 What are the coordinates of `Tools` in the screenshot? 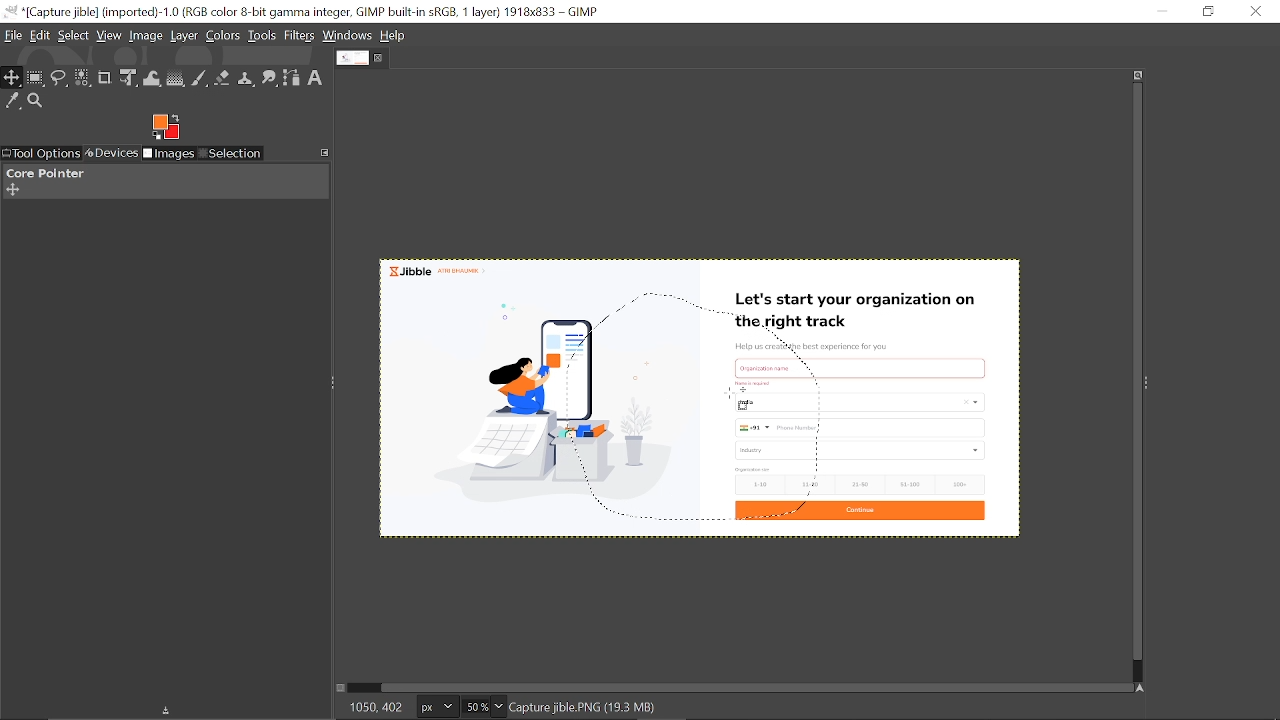 It's located at (262, 35).